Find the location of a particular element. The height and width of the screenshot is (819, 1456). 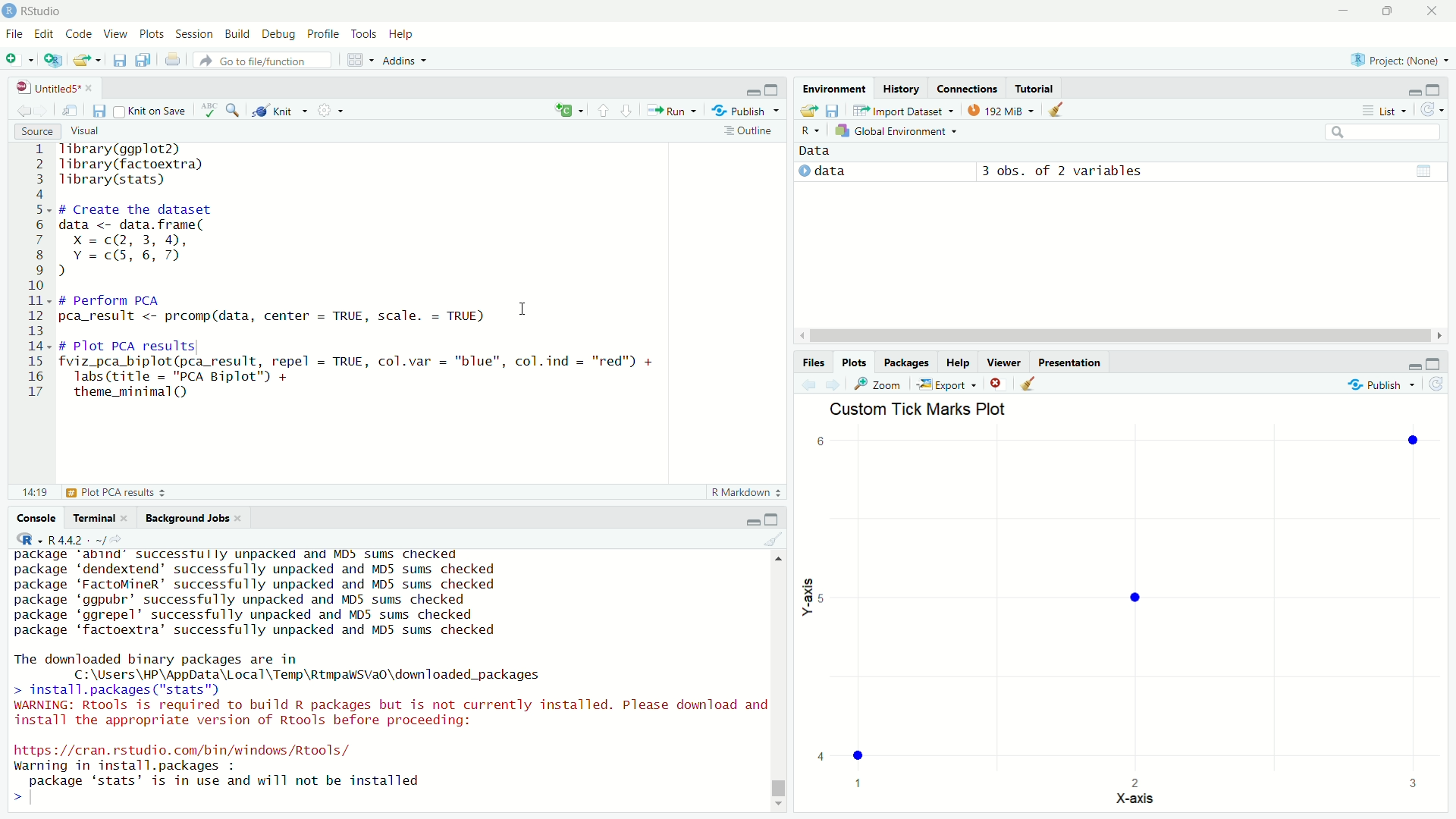

r markdown is located at coordinates (746, 491).